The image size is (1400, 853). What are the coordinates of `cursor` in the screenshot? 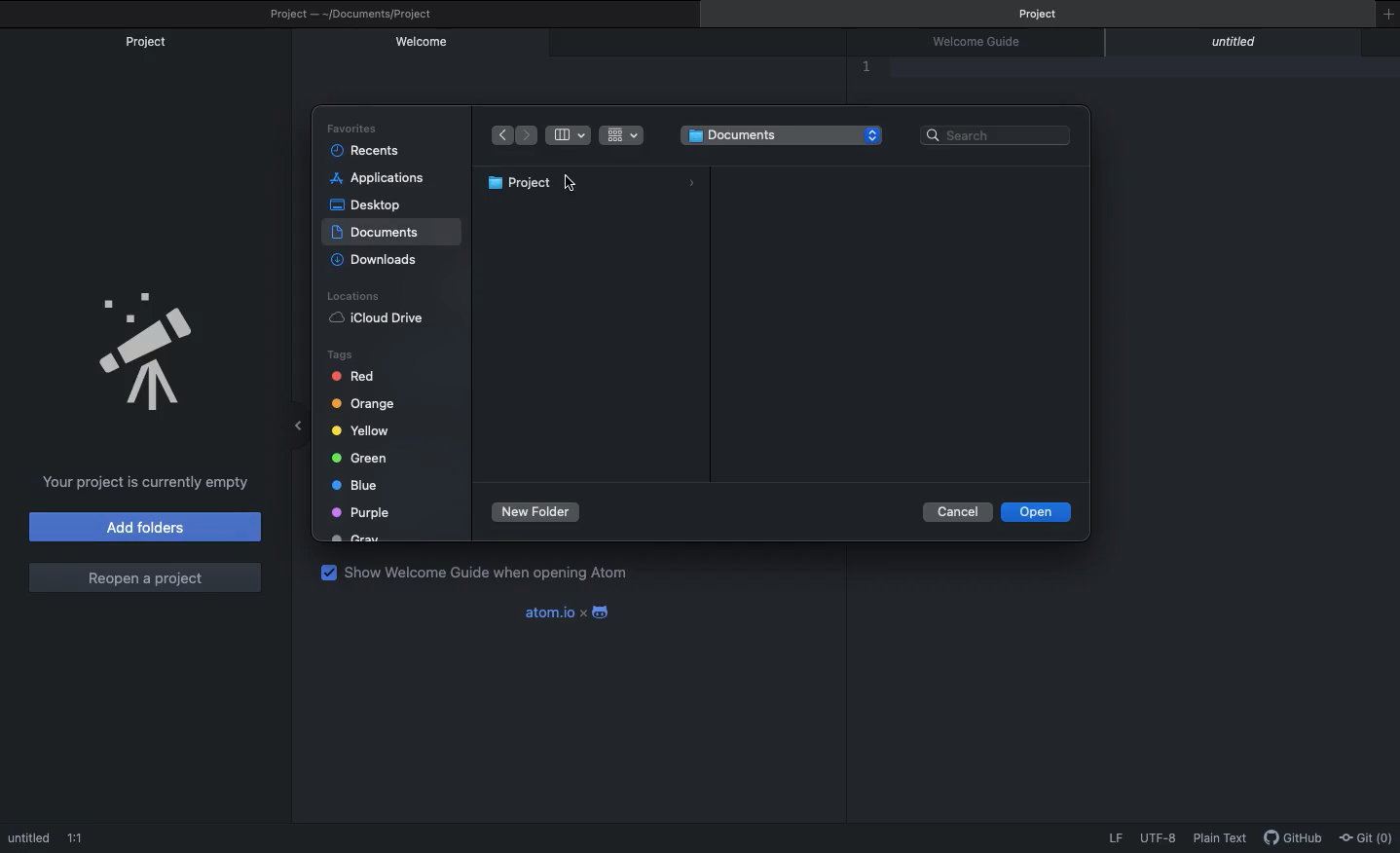 It's located at (573, 185).